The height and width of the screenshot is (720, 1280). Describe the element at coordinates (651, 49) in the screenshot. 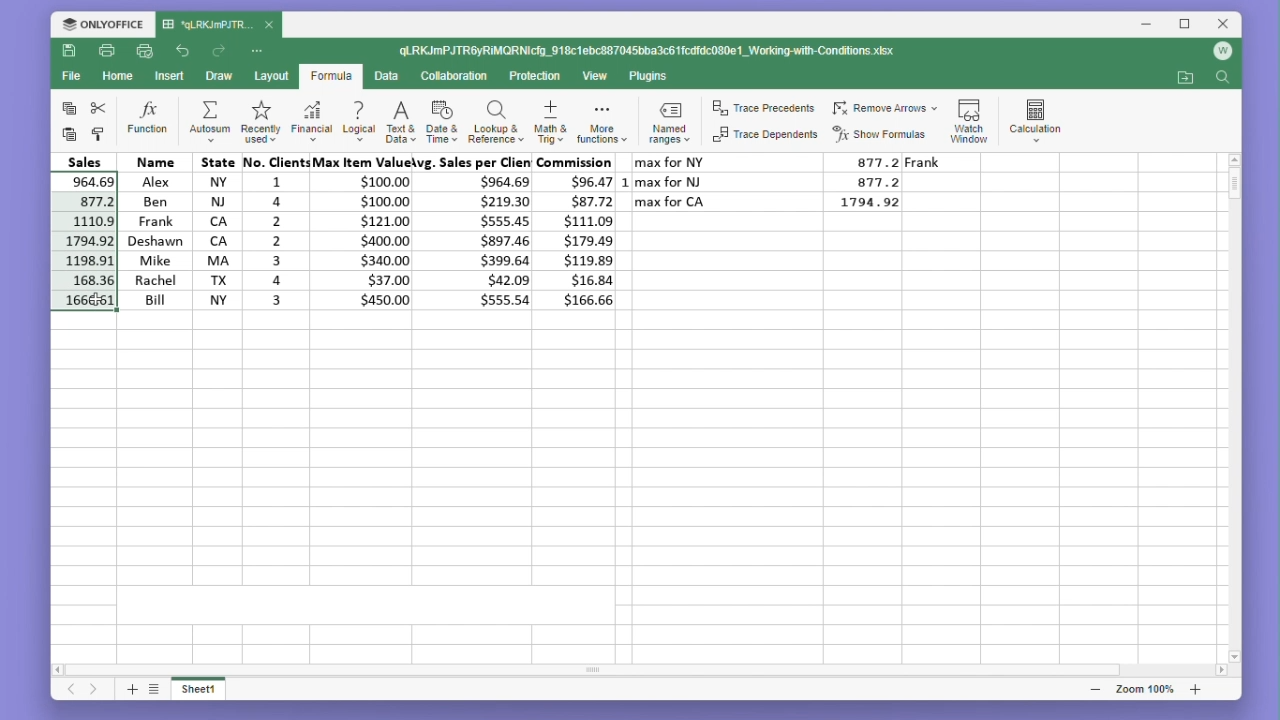

I see `qLRKJmPJTR6yRIMQRNIcfg_918c1ebc887045bba3c61fcdfdc080c1_Working-with-Conditions.xlsx` at that location.